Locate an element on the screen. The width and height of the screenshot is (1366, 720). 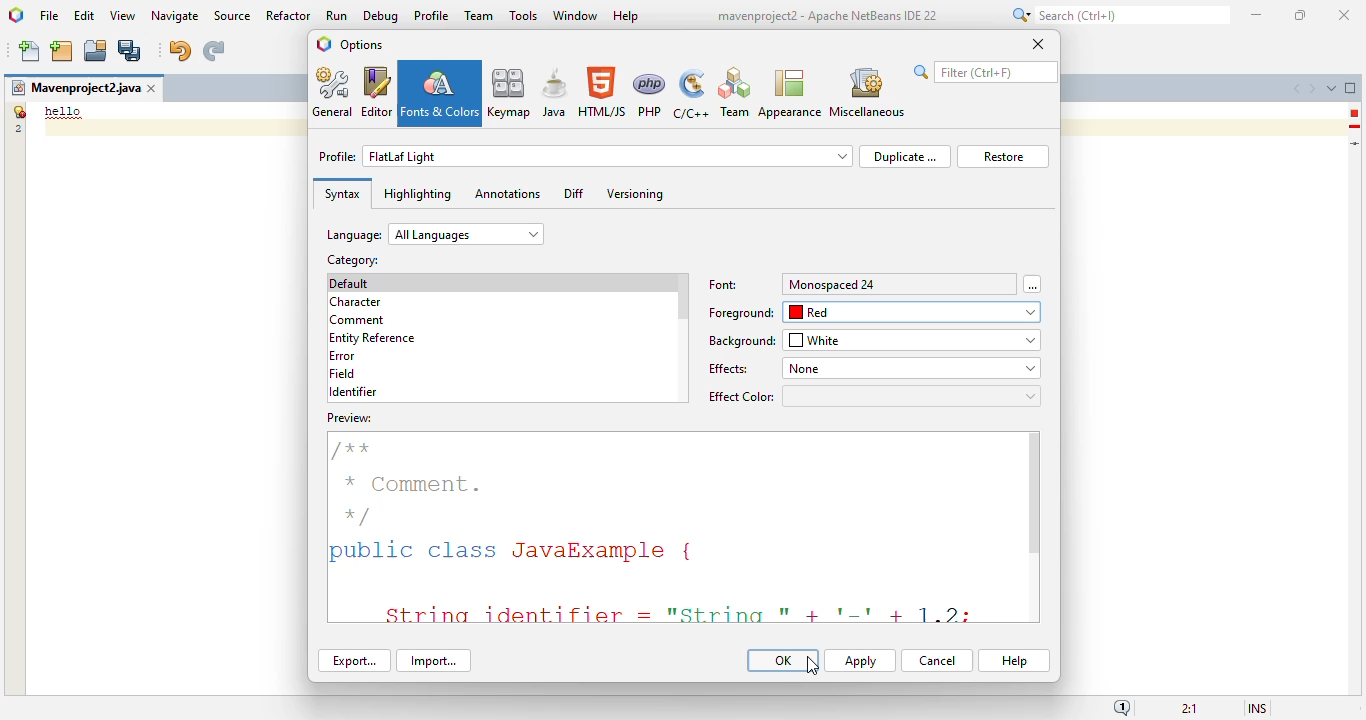
versioning is located at coordinates (636, 194).